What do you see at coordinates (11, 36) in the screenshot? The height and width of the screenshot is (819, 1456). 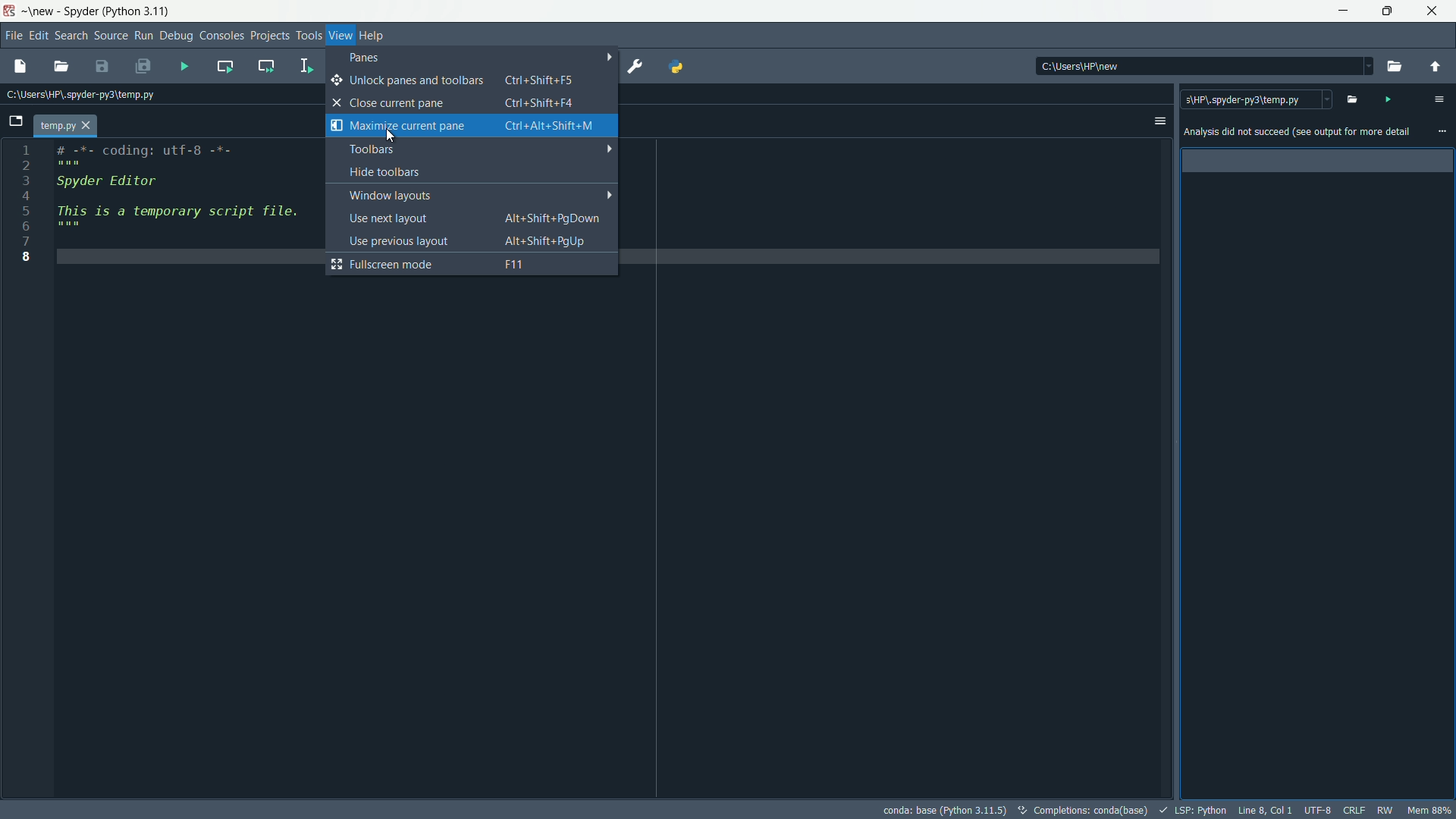 I see `file menu` at bounding box center [11, 36].